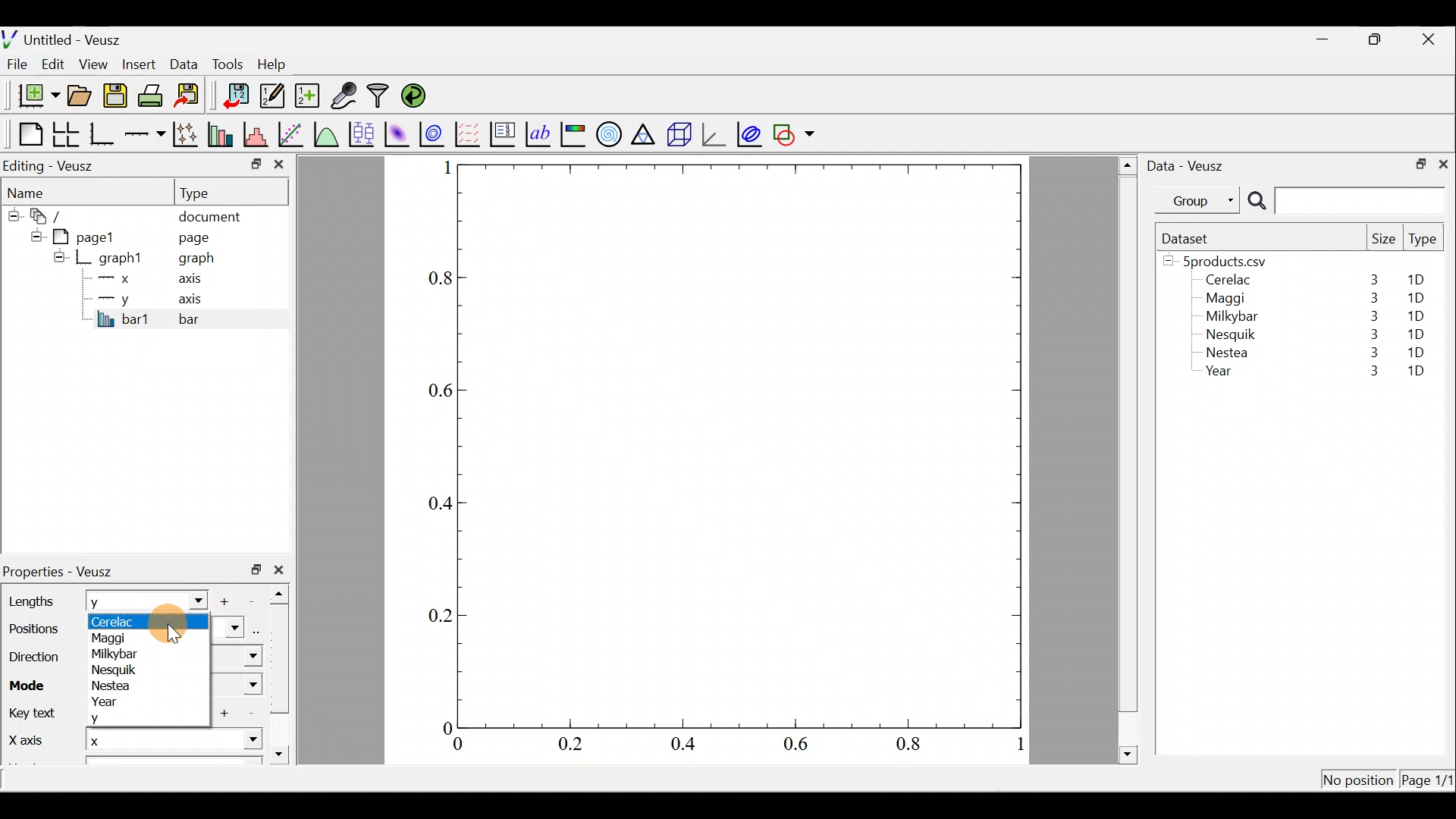 The image size is (1456, 819). Describe the element at coordinates (1330, 38) in the screenshot. I see `minimize` at that location.